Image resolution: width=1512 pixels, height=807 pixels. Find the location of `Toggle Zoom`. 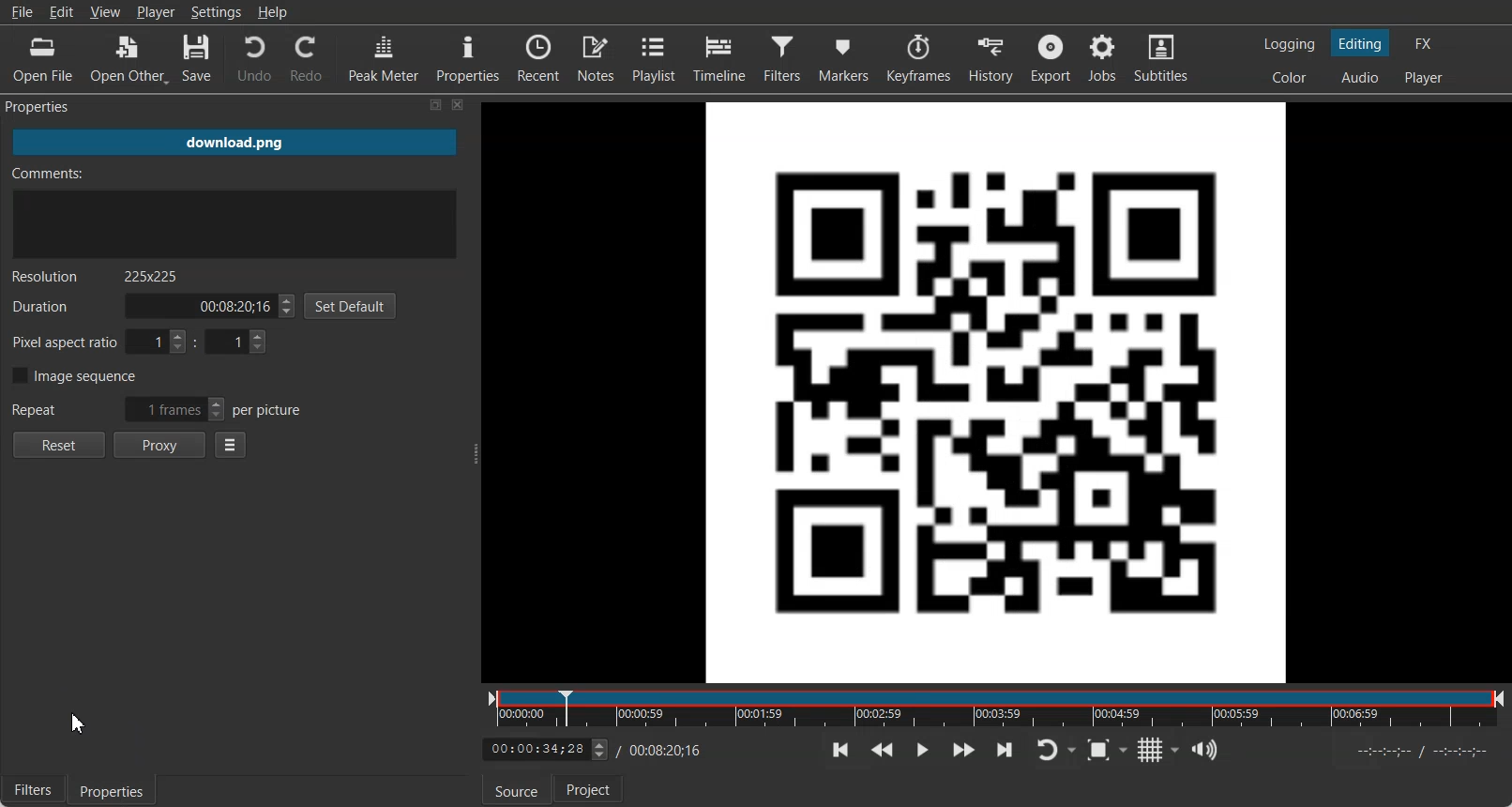

Toggle Zoom is located at coordinates (1108, 750).